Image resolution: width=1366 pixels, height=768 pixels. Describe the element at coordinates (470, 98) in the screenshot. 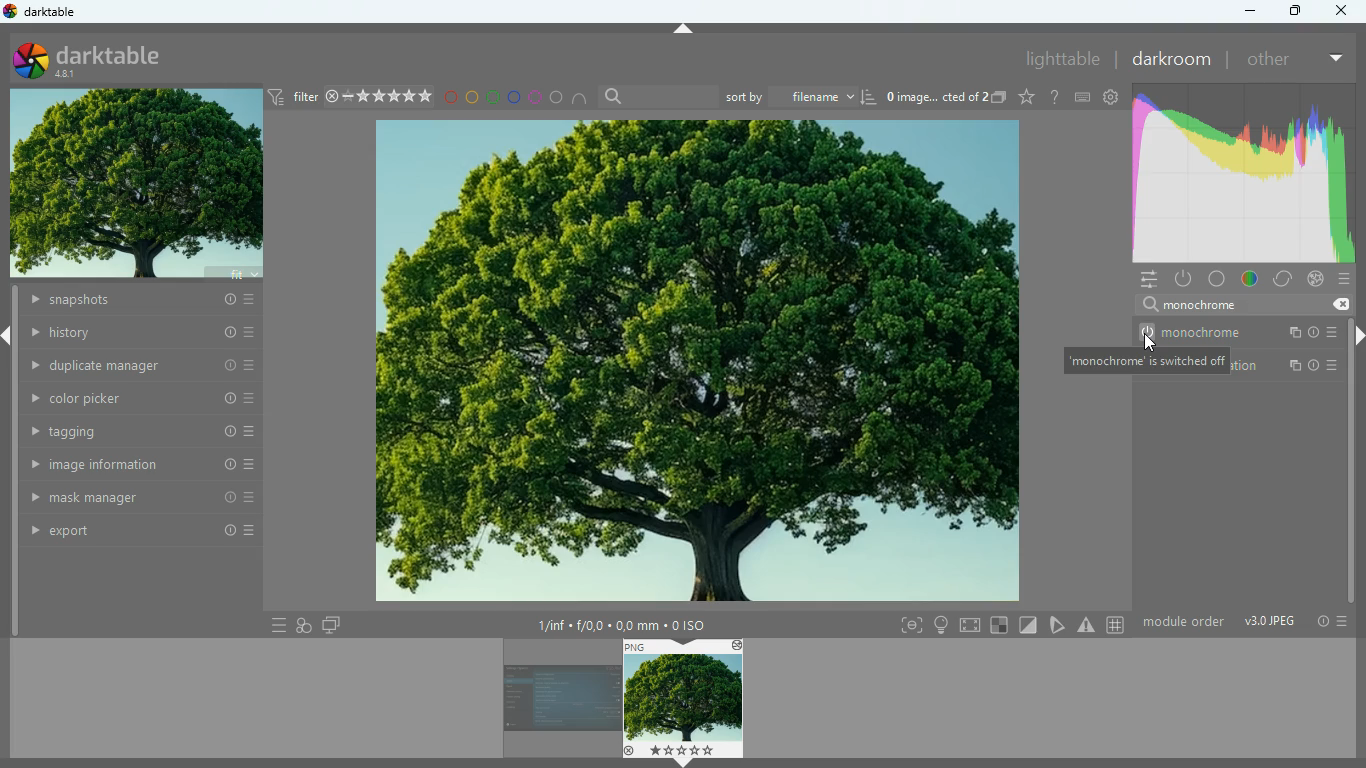

I see `yellow` at that location.